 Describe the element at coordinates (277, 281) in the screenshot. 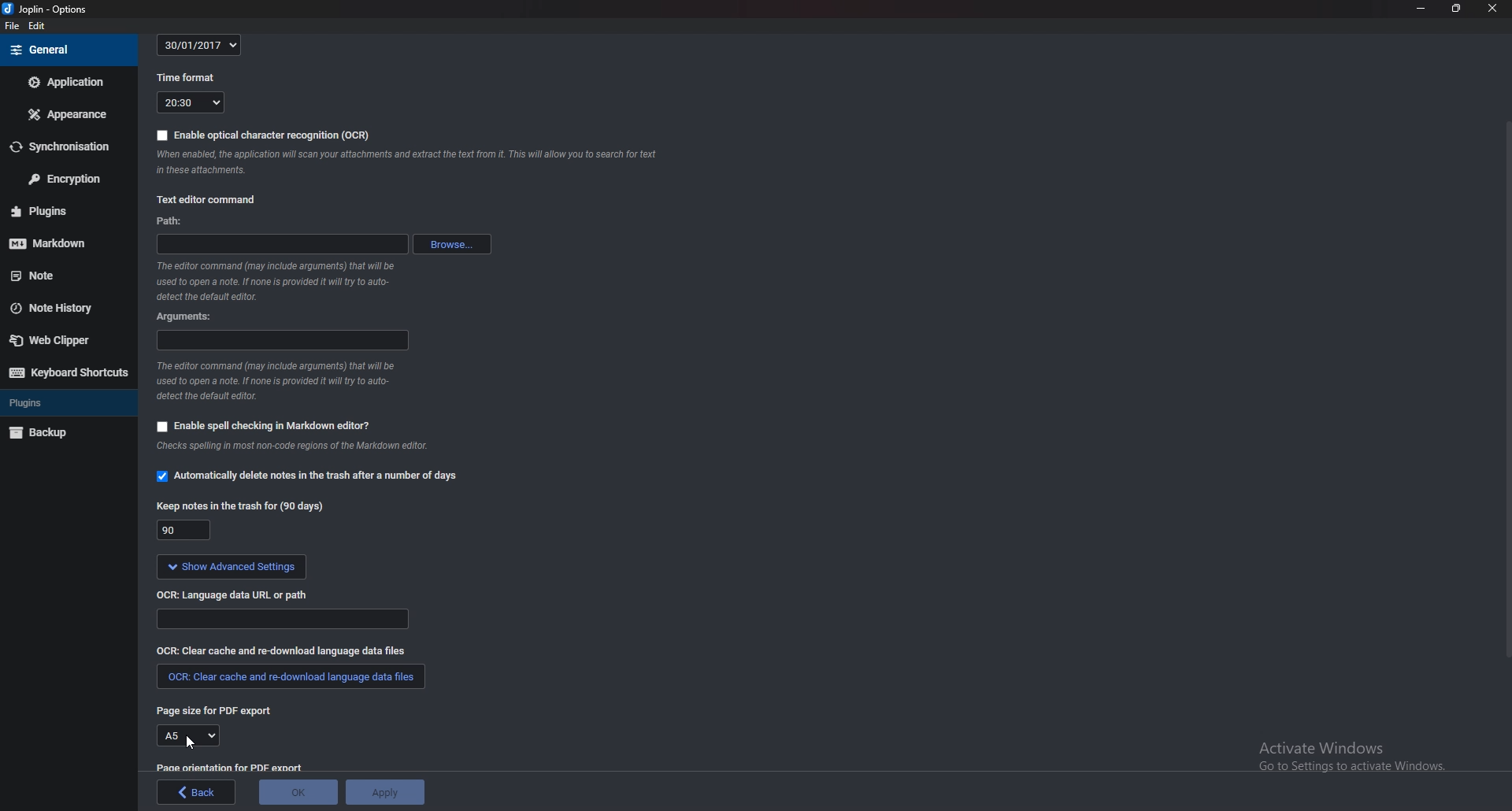

I see `info on editor command` at that location.